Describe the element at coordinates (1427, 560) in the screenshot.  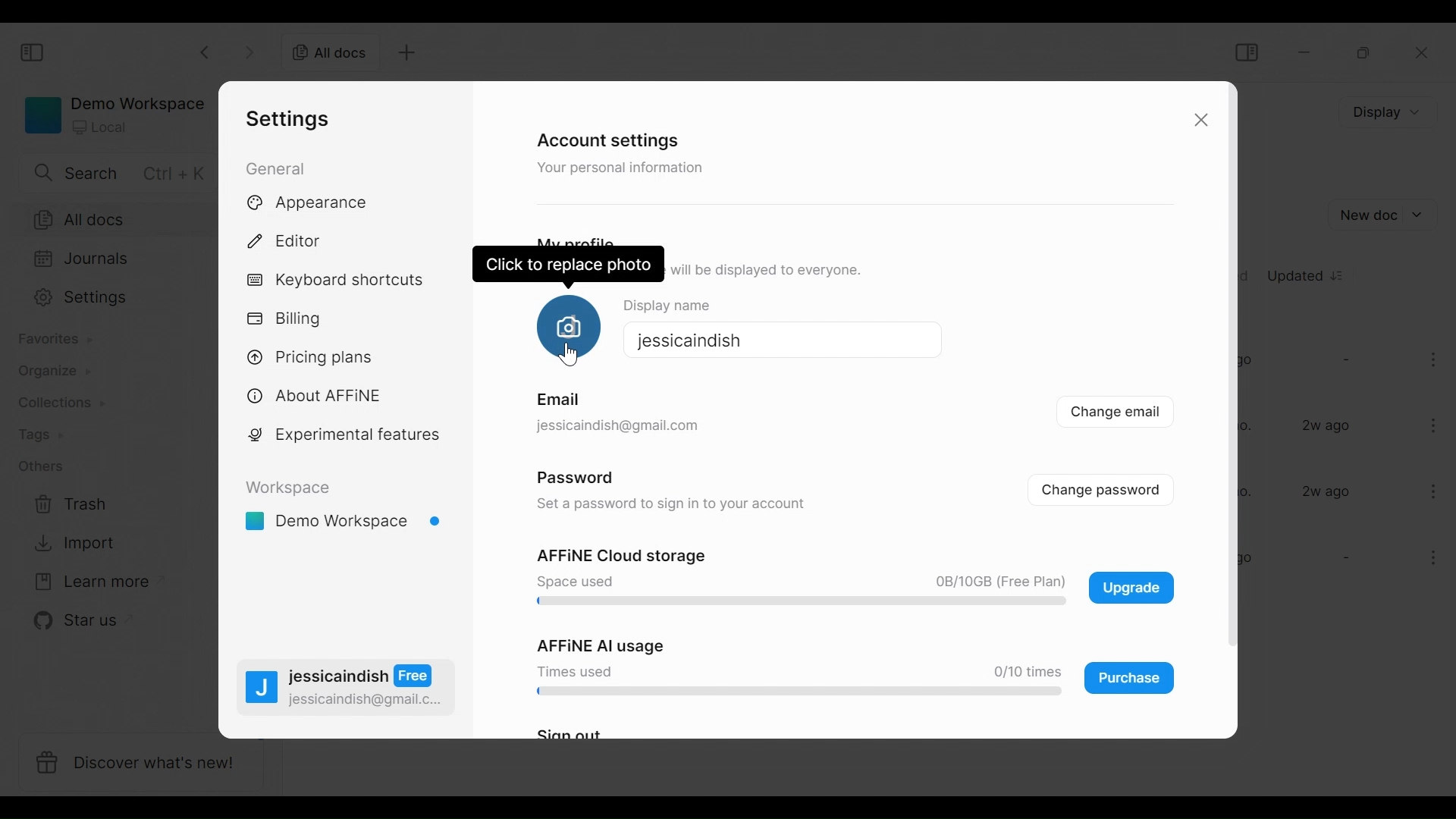
I see `more options` at that location.